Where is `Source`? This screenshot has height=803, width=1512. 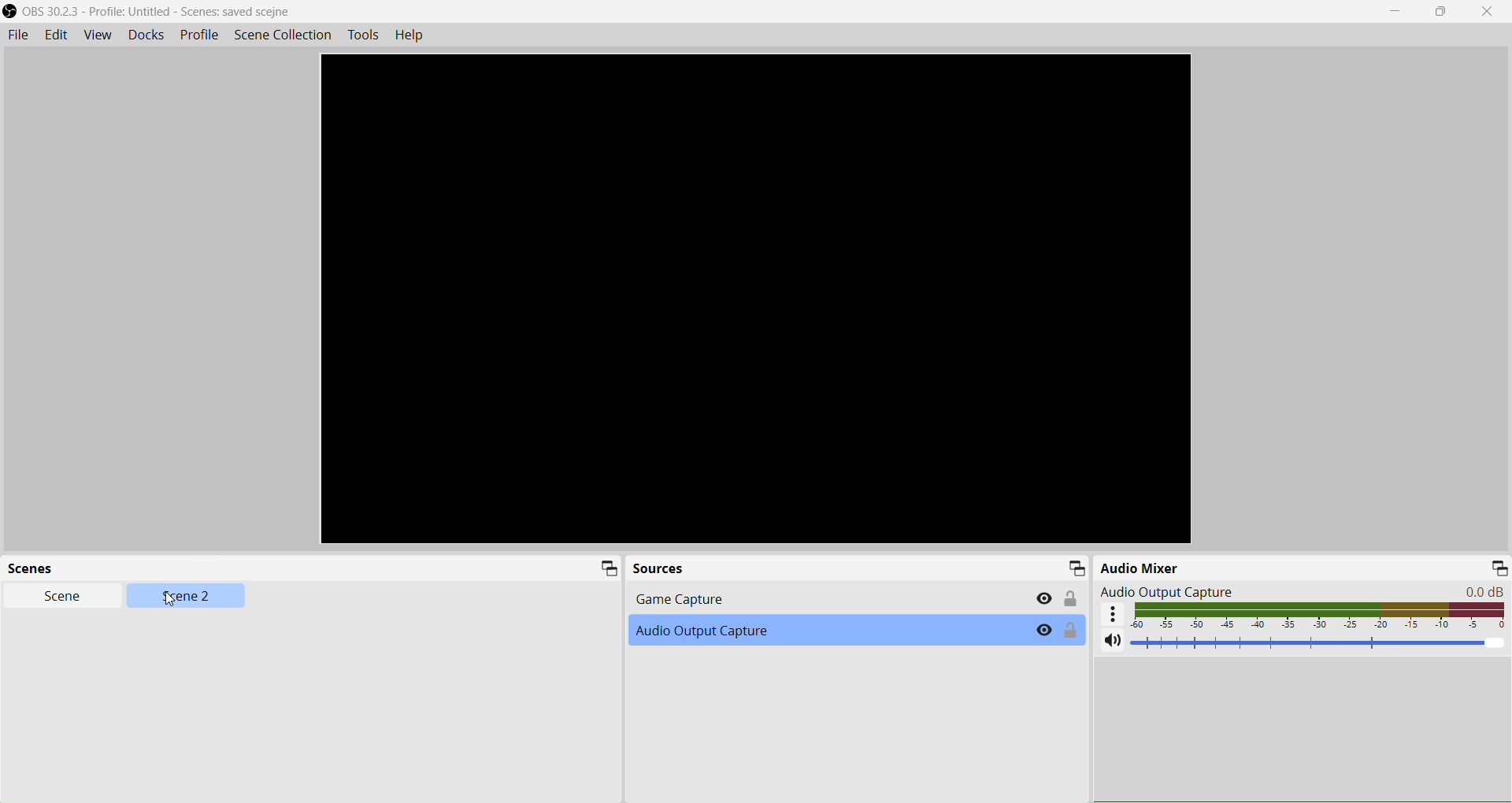
Source is located at coordinates (658, 568).